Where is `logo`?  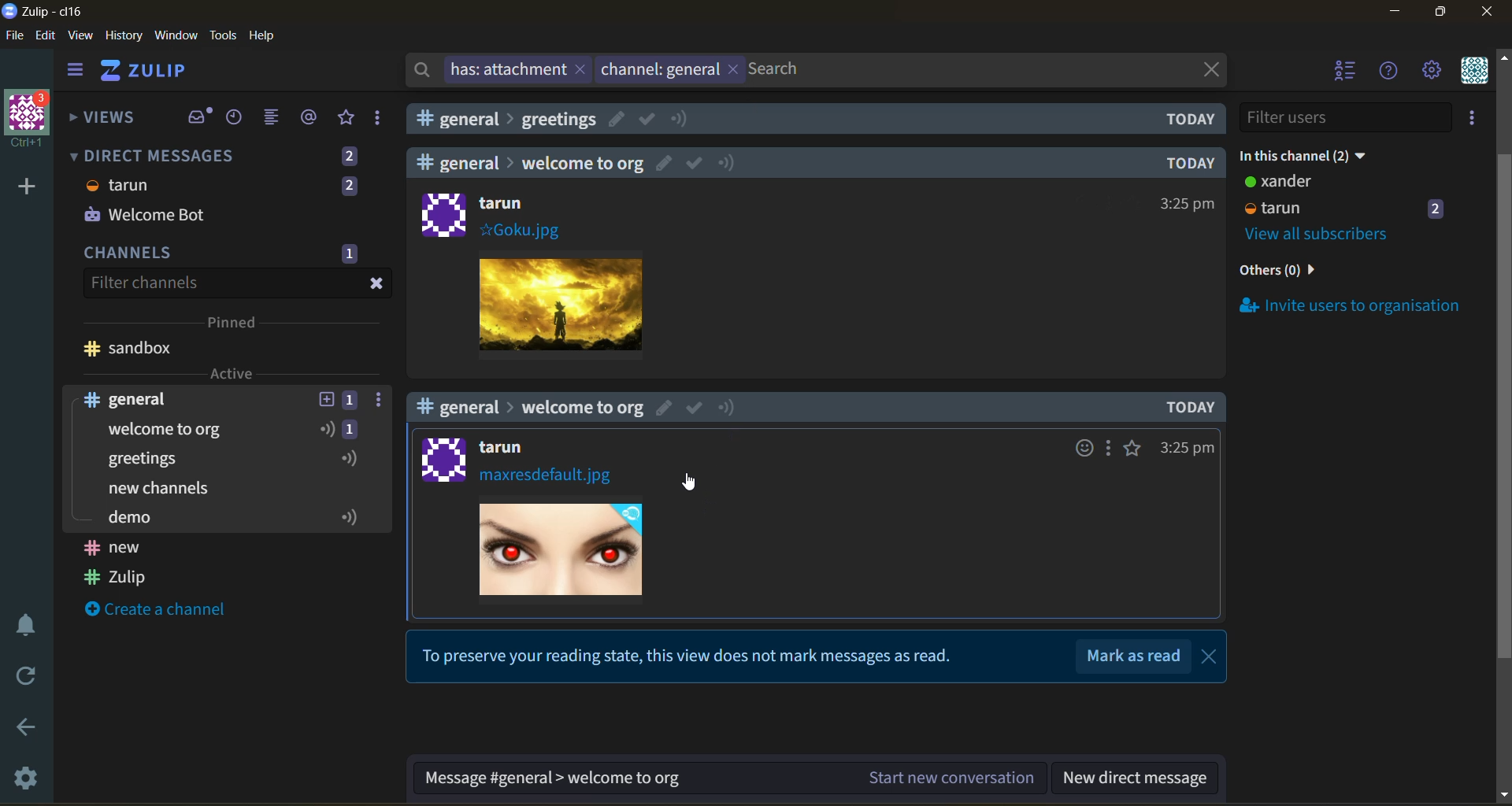 logo is located at coordinates (443, 213).